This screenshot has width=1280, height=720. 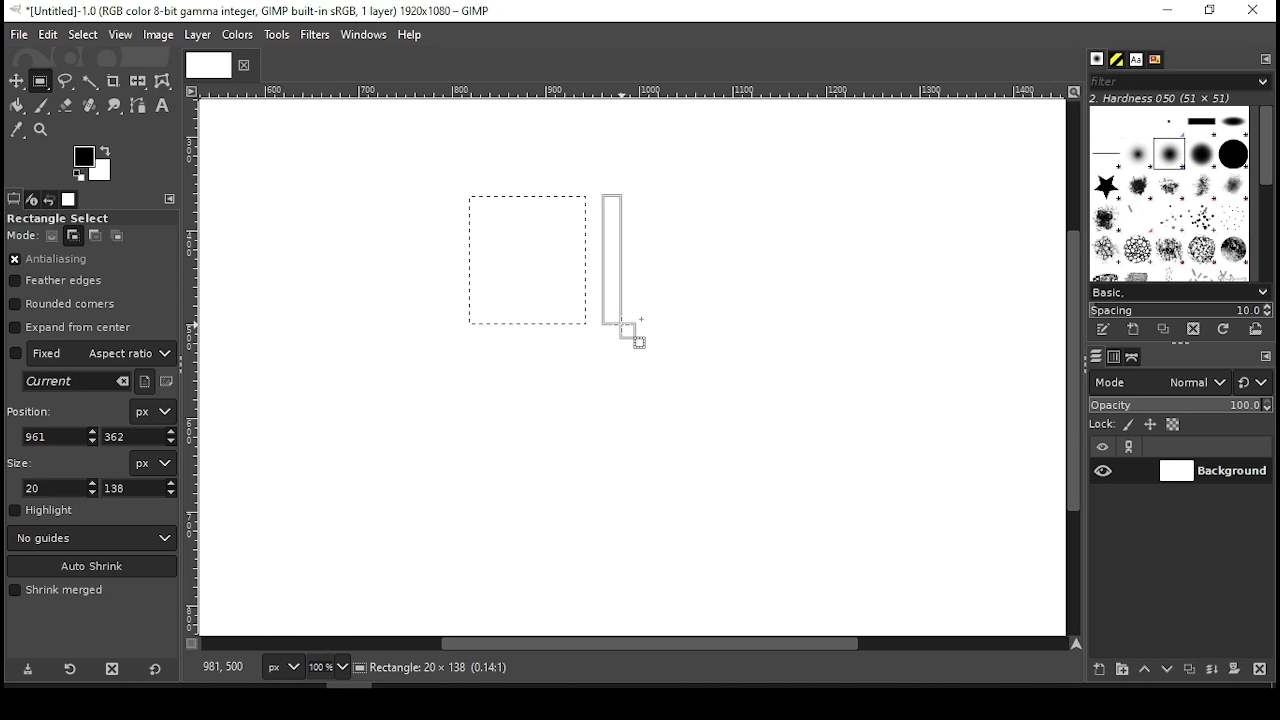 I want to click on smudge tool, so click(x=116, y=106).